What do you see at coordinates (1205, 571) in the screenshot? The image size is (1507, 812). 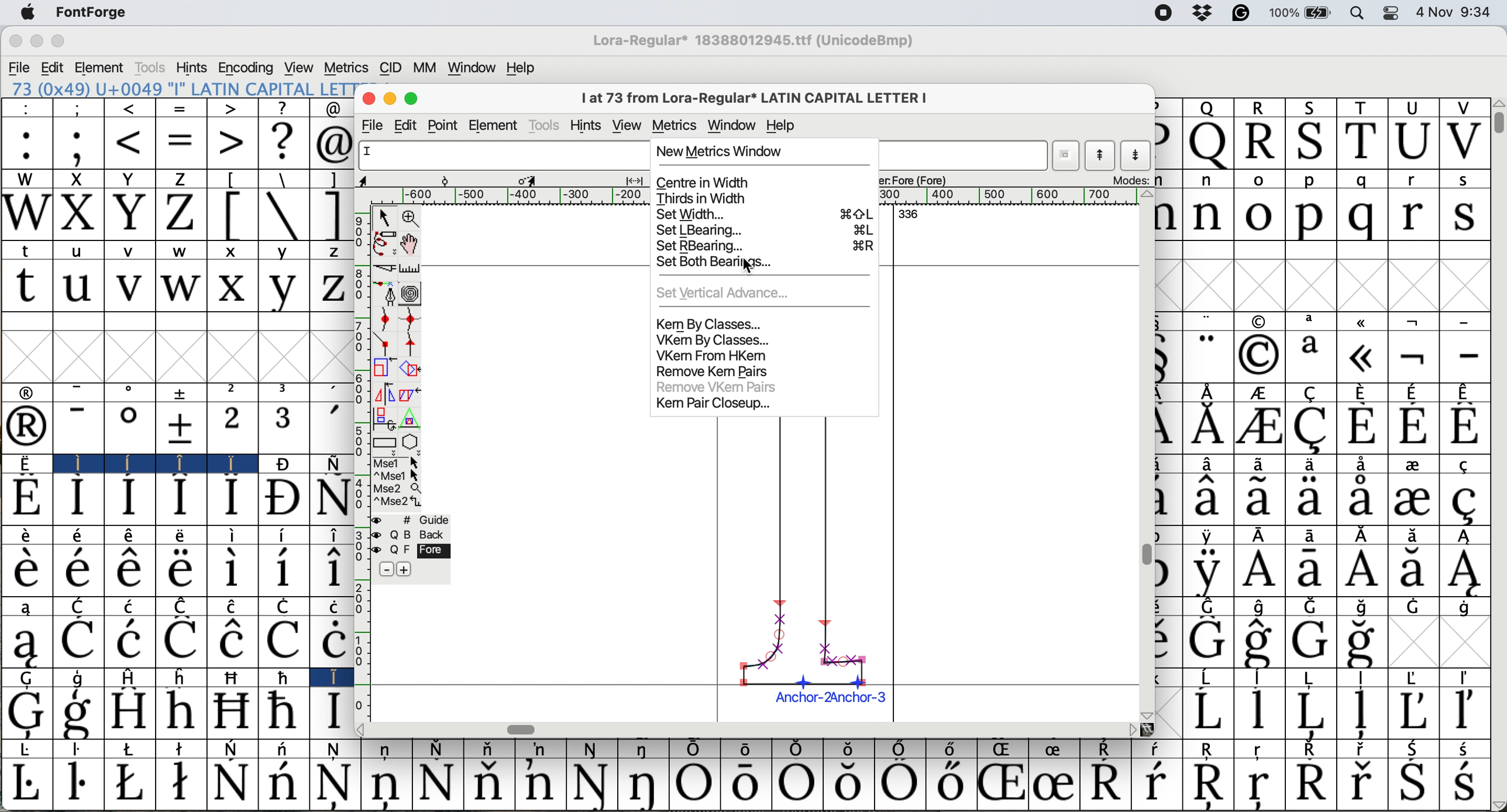 I see `Symbol` at bounding box center [1205, 571].